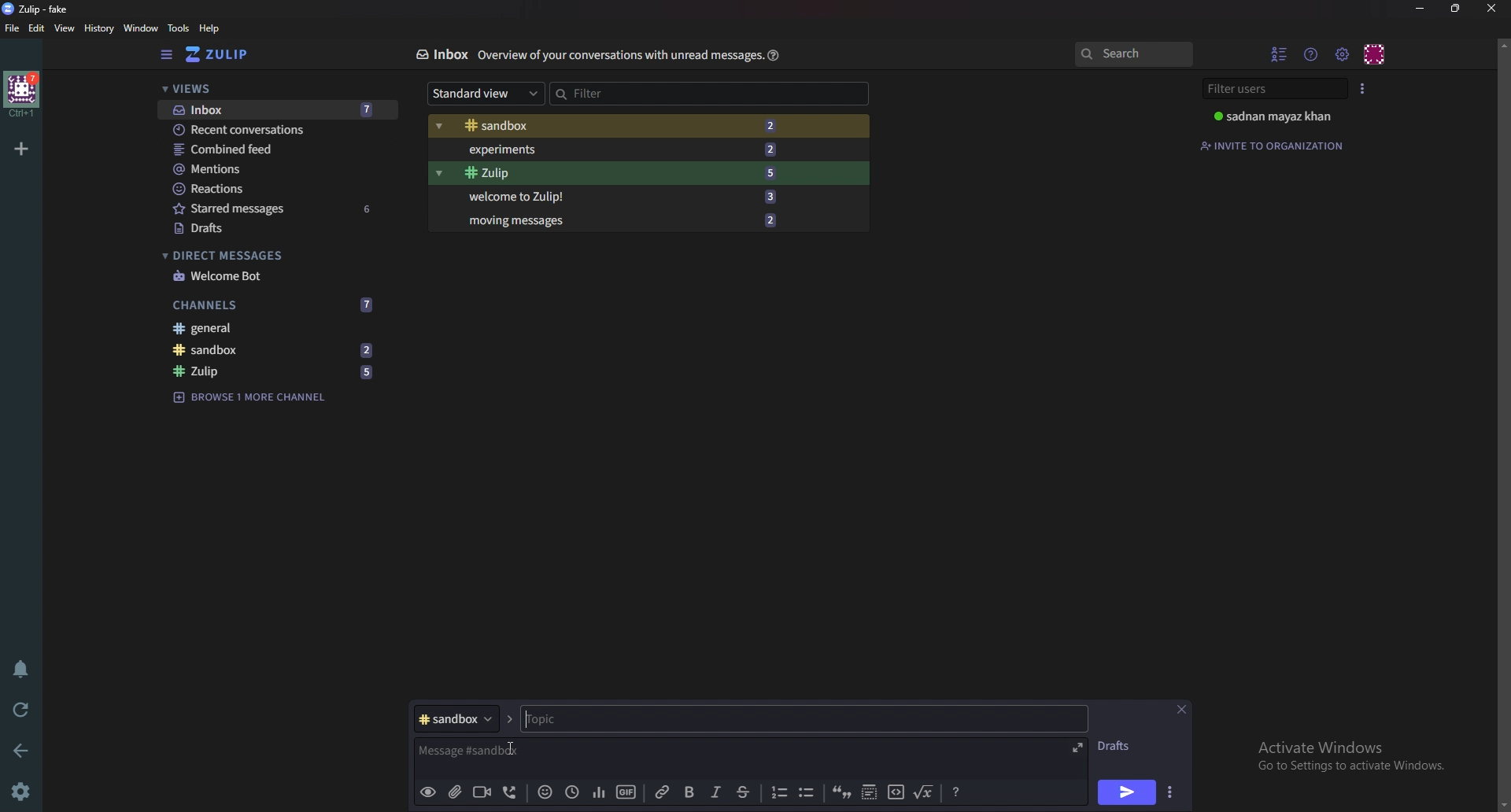  What do you see at coordinates (276, 189) in the screenshot?
I see `Reactions` at bounding box center [276, 189].